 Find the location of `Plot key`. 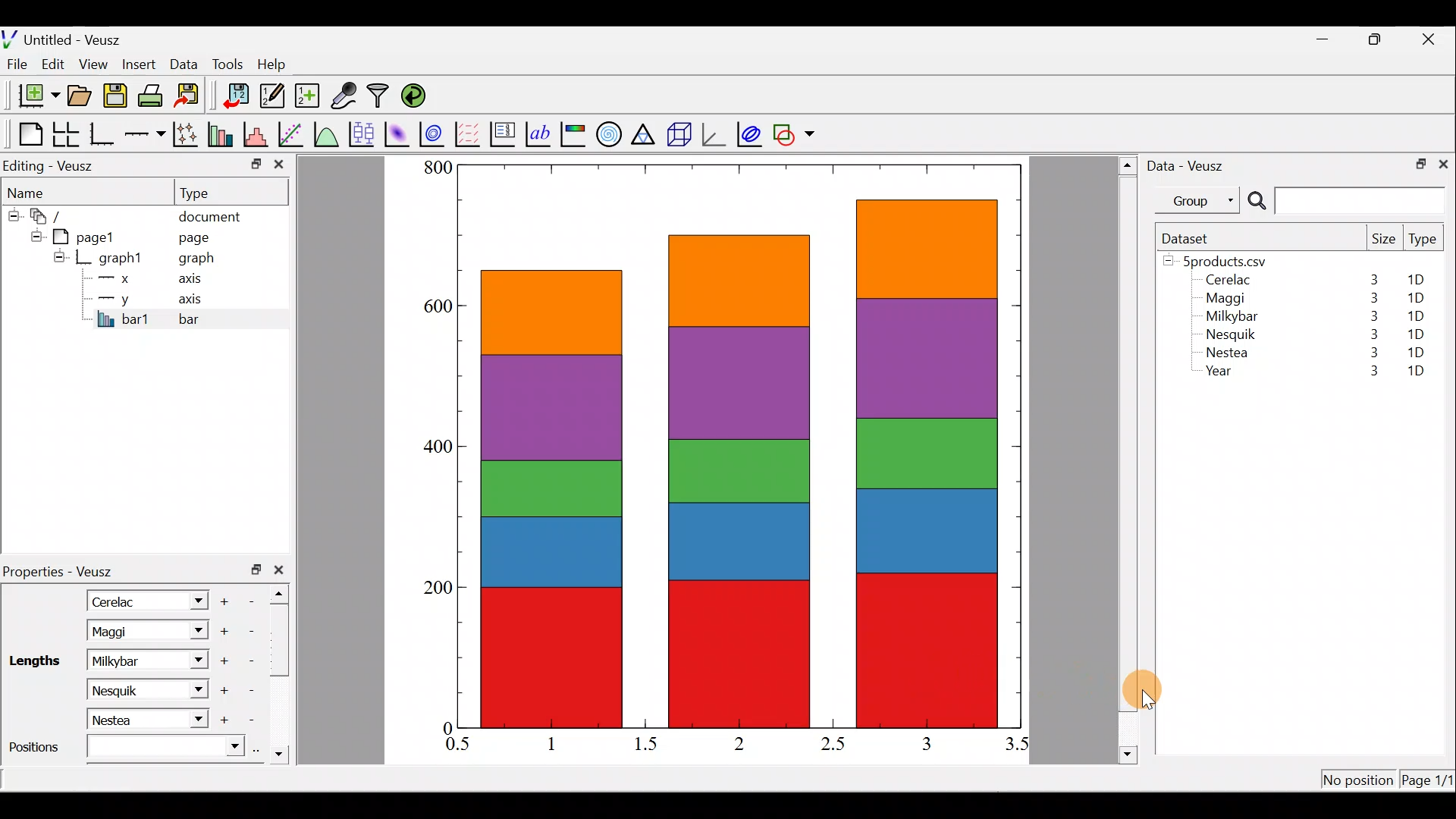

Plot key is located at coordinates (504, 133).